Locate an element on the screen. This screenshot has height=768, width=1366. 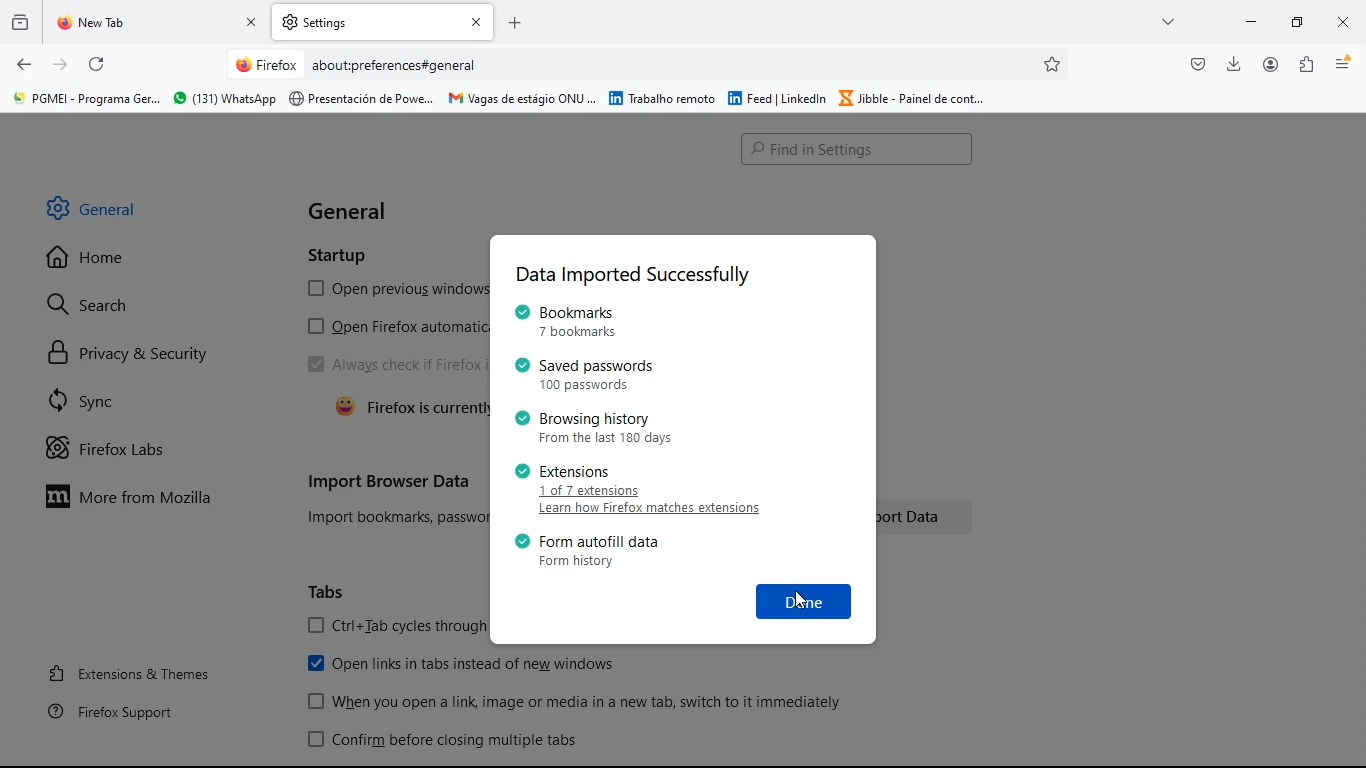
privacy & security is located at coordinates (142, 353).